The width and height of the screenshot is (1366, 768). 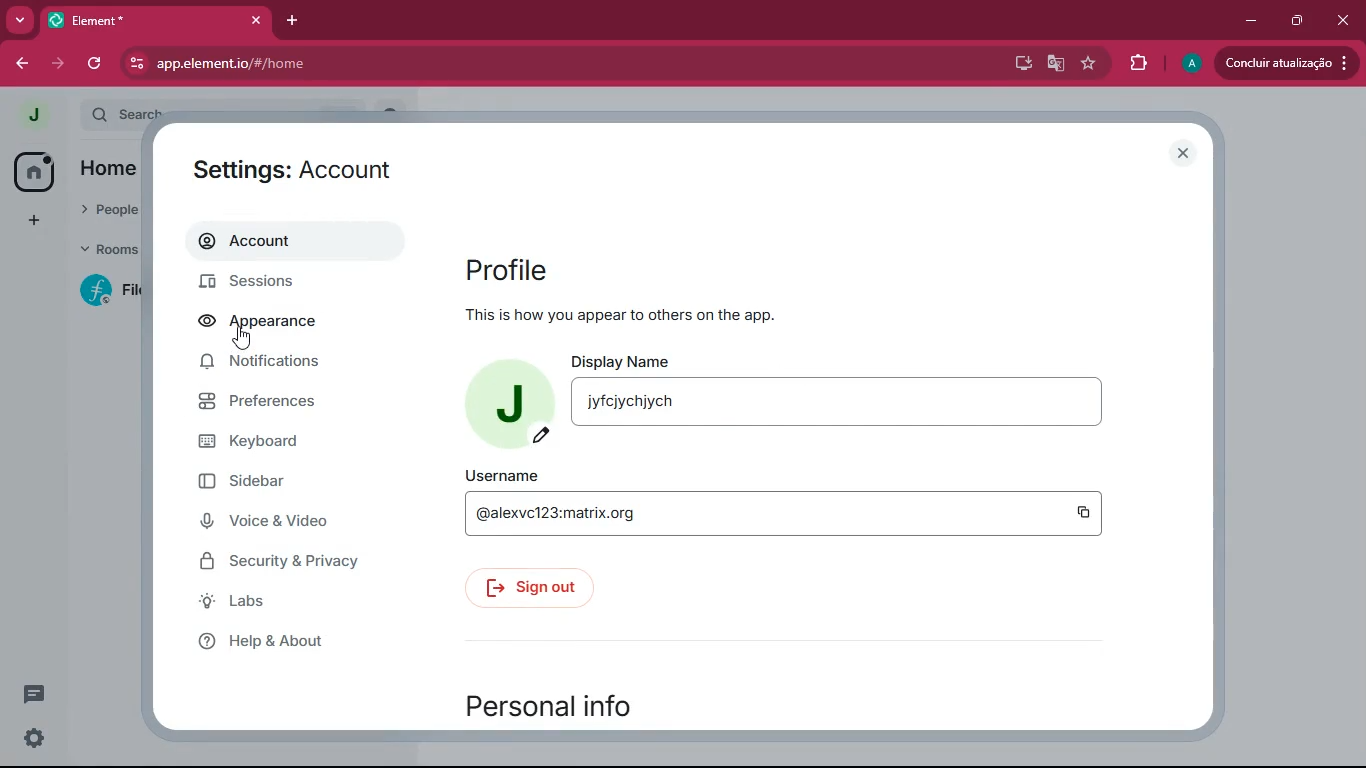 I want to click on favourite, so click(x=1089, y=63).